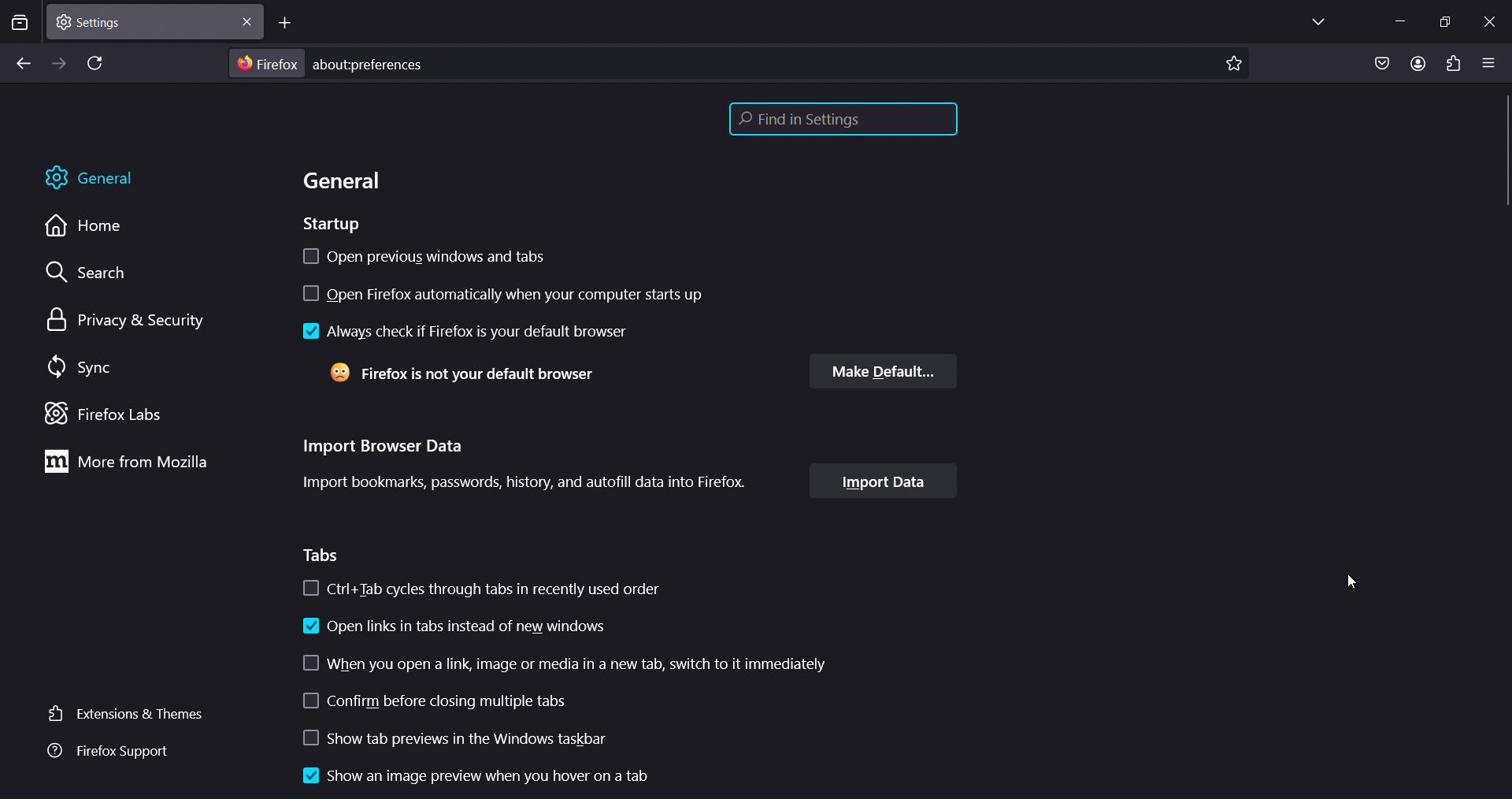 Image resolution: width=1512 pixels, height=799 pixels. Describe the element at coordinates (1491, 24) in the screenshot. I see `close` at that location.